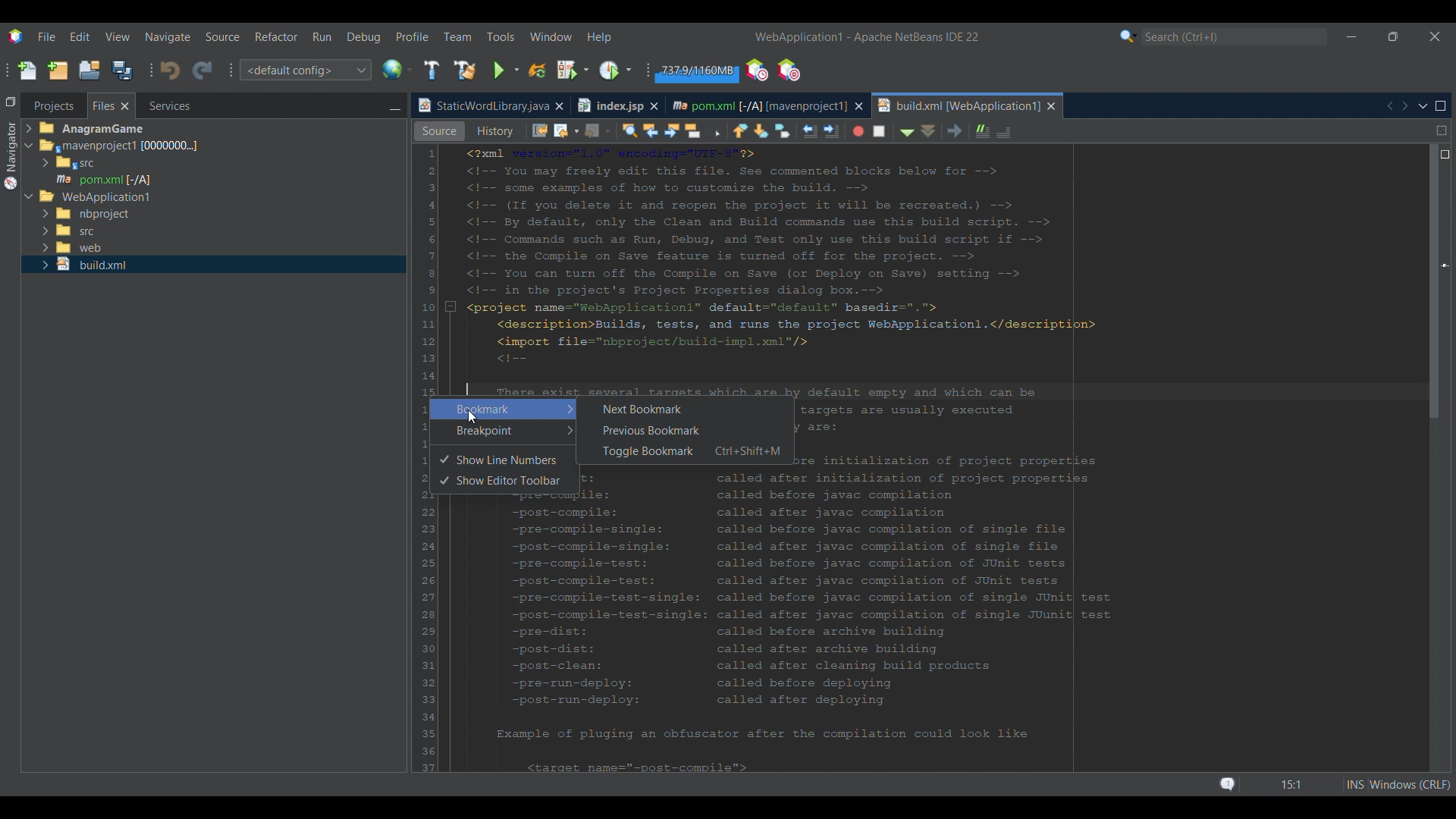 Image resolution: width=1456 pixels, height=819 pixels. What do you see at coordinates (1351, 37) in the screenshot?
I see `Minimize` at bounding box center [1351, 37].